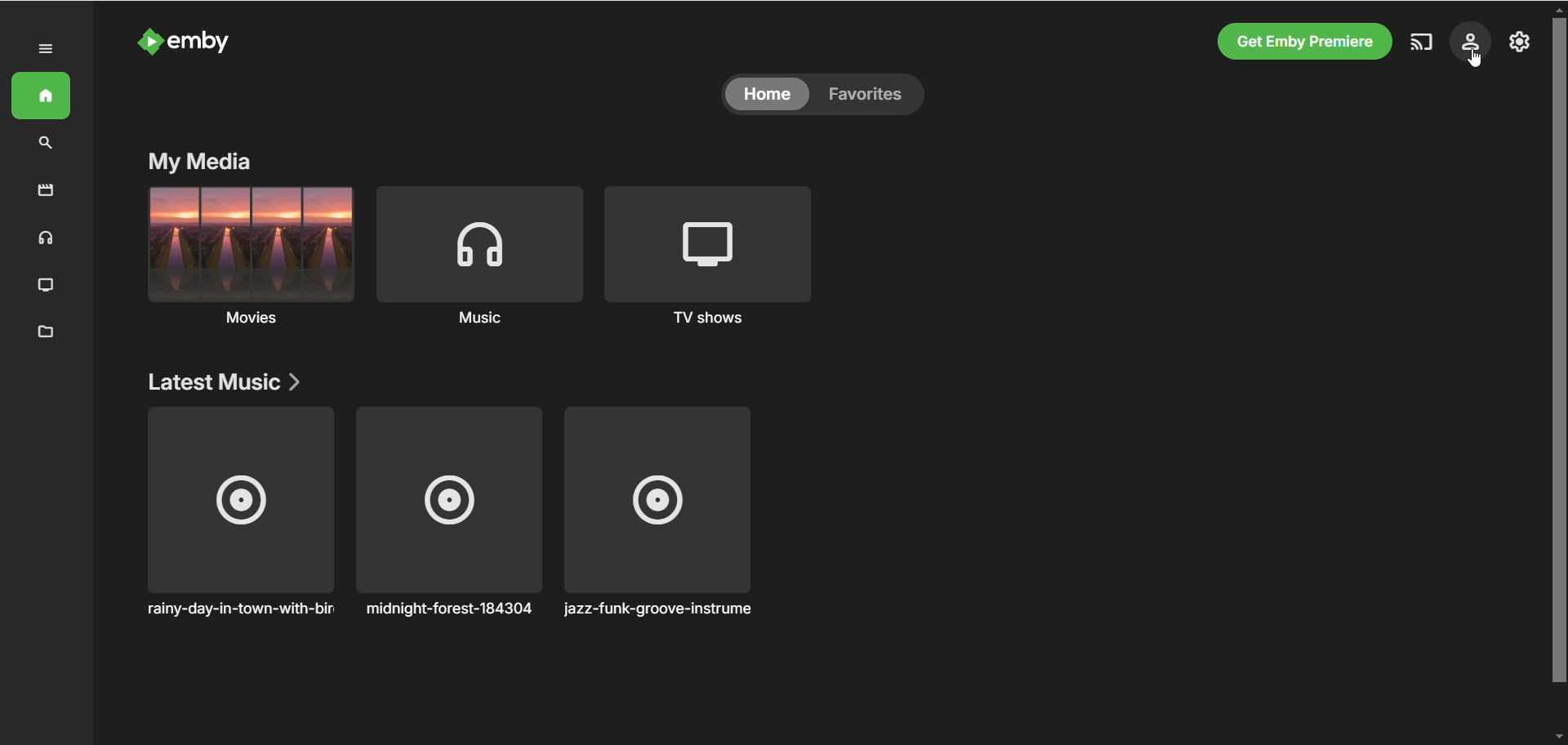 The width and height of the screenshot is (1568, 745). I want to click on manage emby server, so click(1472, 42).